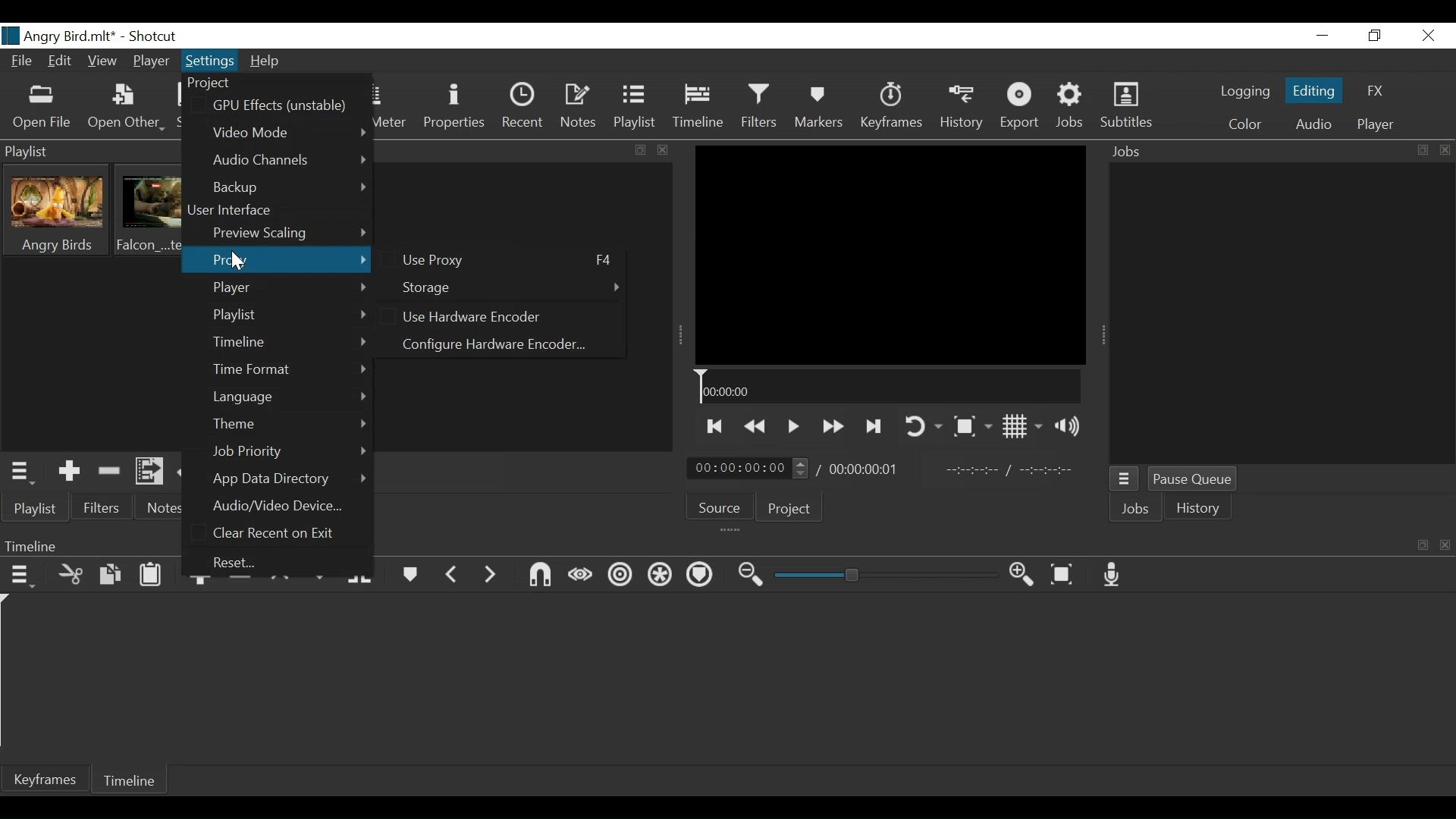 The width and height of the screenshot is (1456, 819). What do you see at coordinates (921, 427) in the screenshot?
I see `Toggle player looping` at bounding box center [921, 427].